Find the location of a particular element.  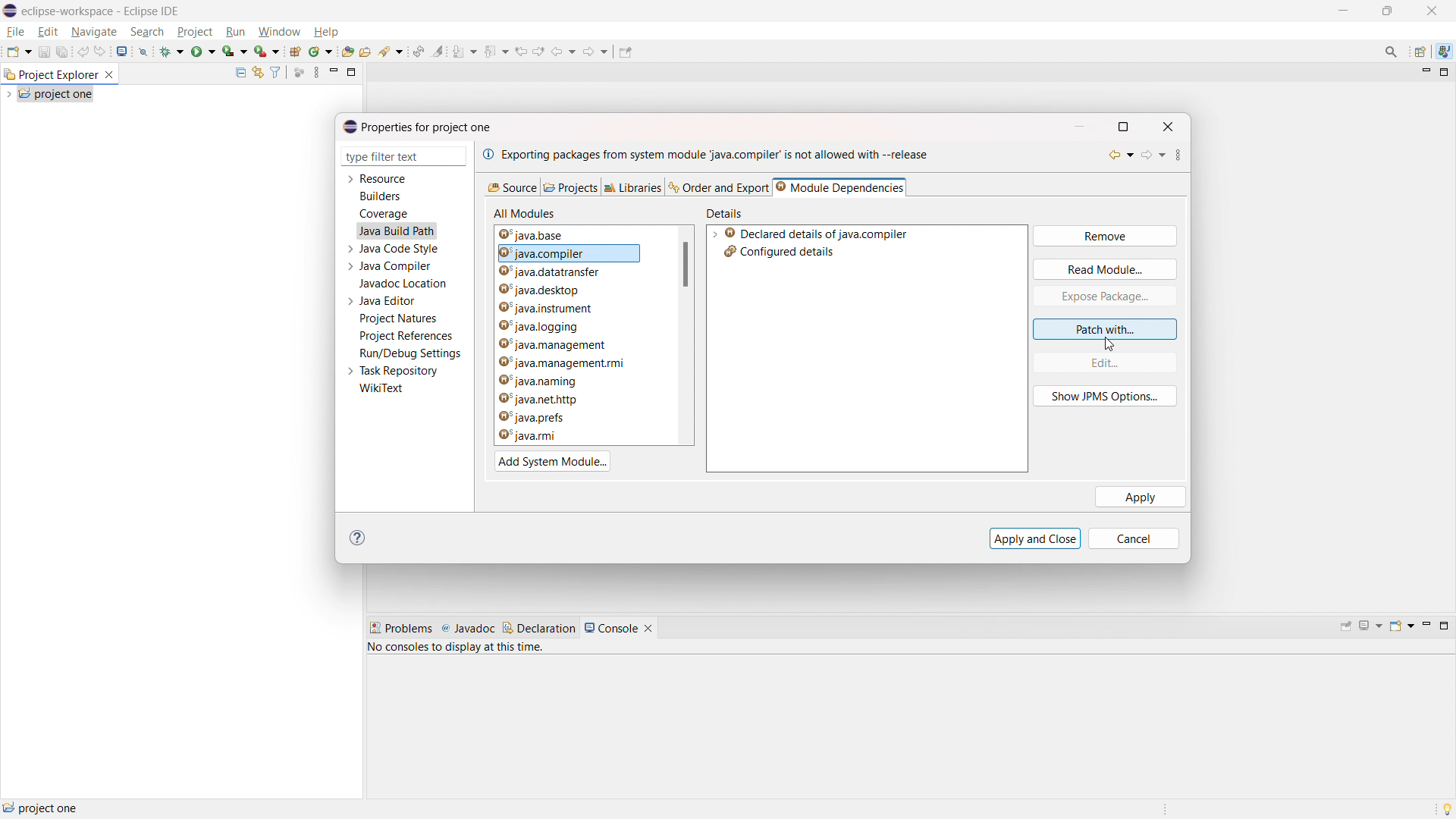

expand java code style is located at coordinates (350, 247).